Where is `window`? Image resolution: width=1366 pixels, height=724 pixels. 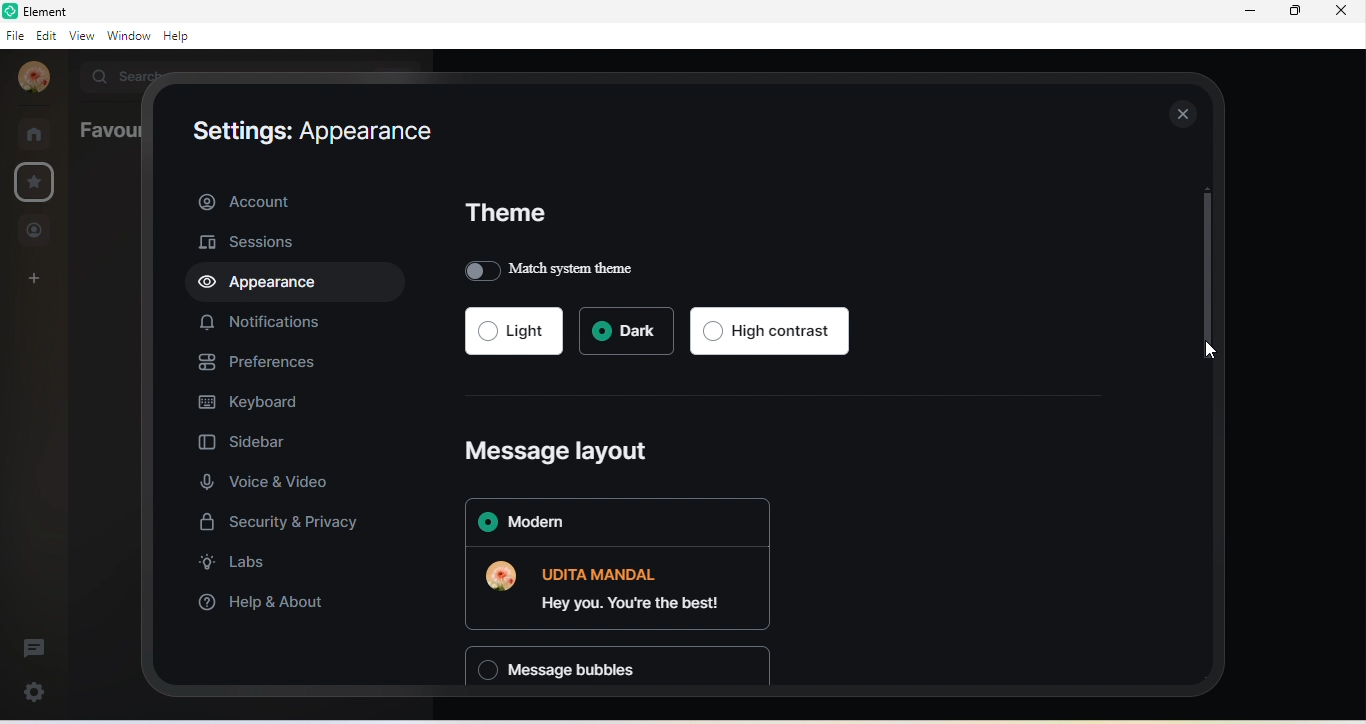 window is located at coordinates (128, 35).